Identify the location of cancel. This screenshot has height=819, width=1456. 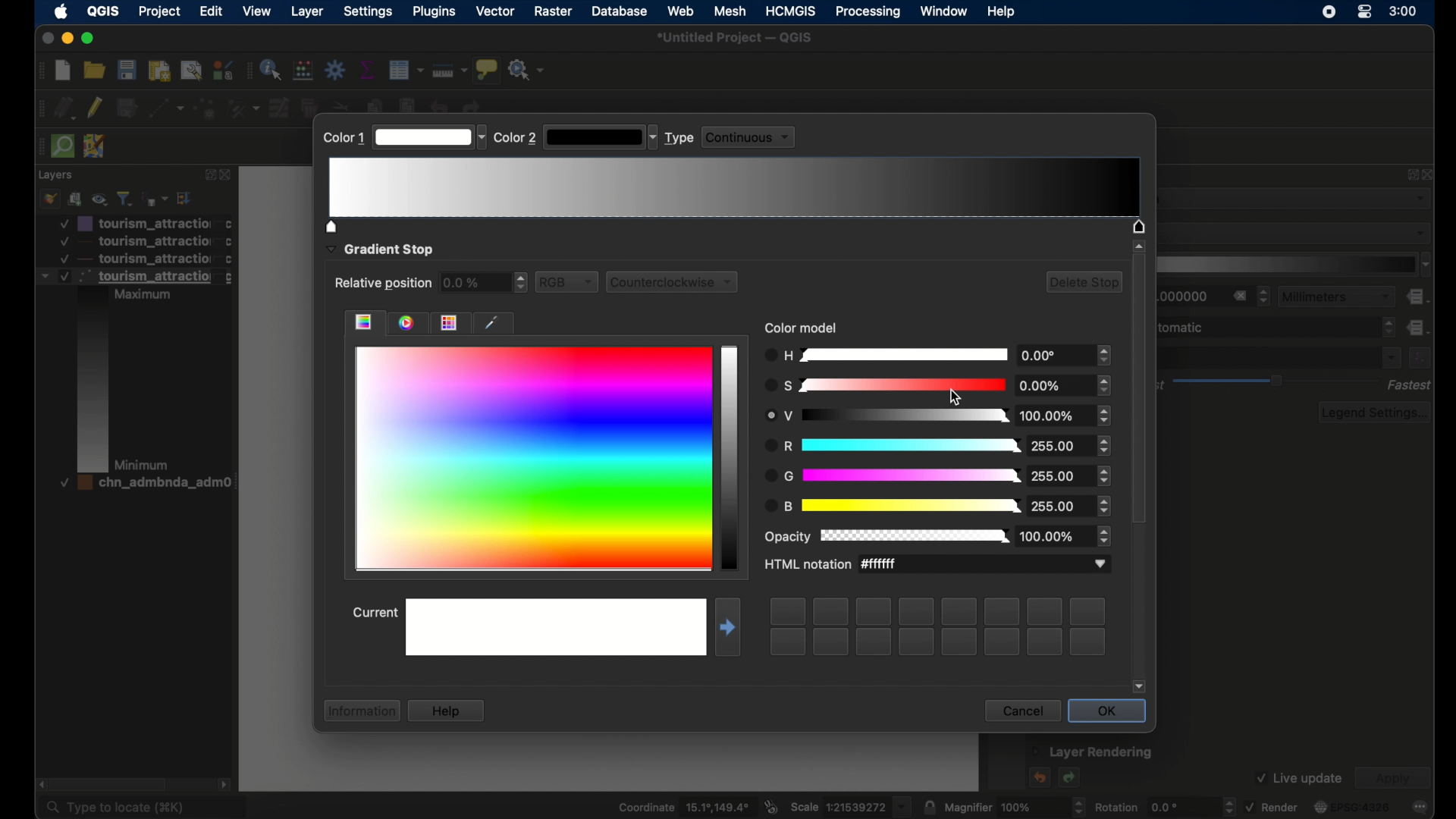
(1020, 711).